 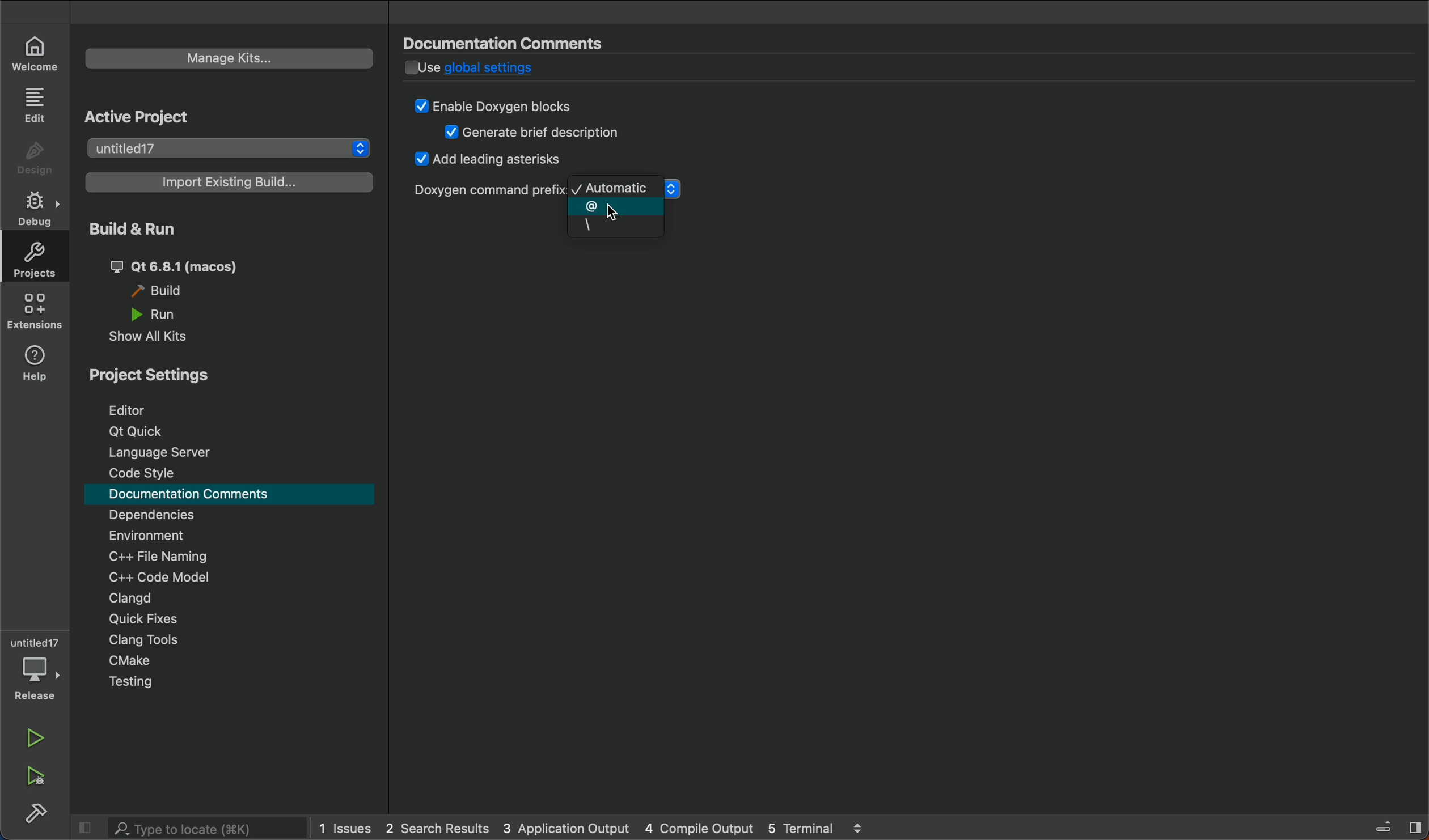 What do you see at coordinates (132, 682) in the screenshot?
I see `testing` at bounding box center [132, 682].